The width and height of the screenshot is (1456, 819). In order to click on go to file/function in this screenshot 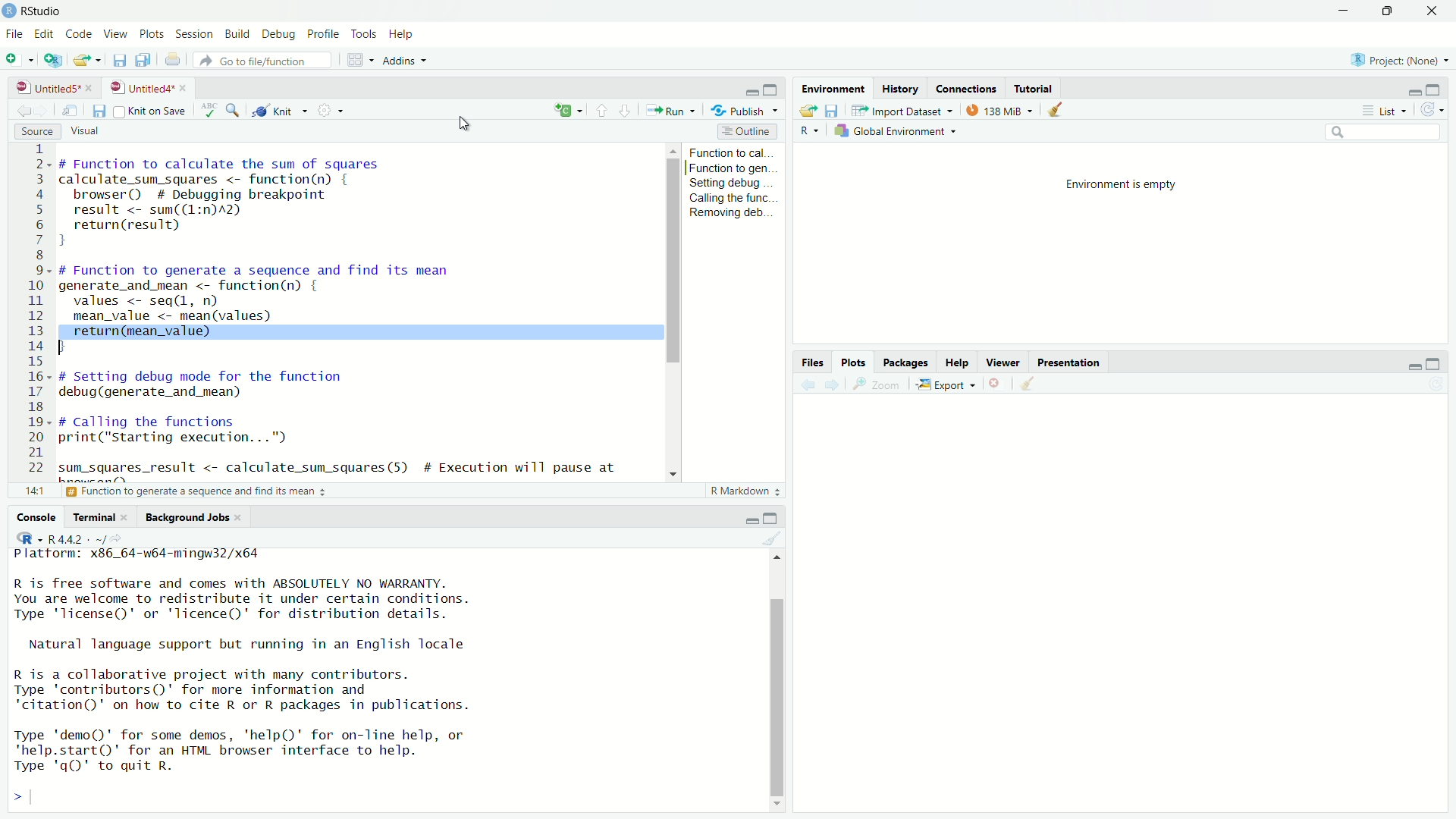, I will do `click(264, 59)`.